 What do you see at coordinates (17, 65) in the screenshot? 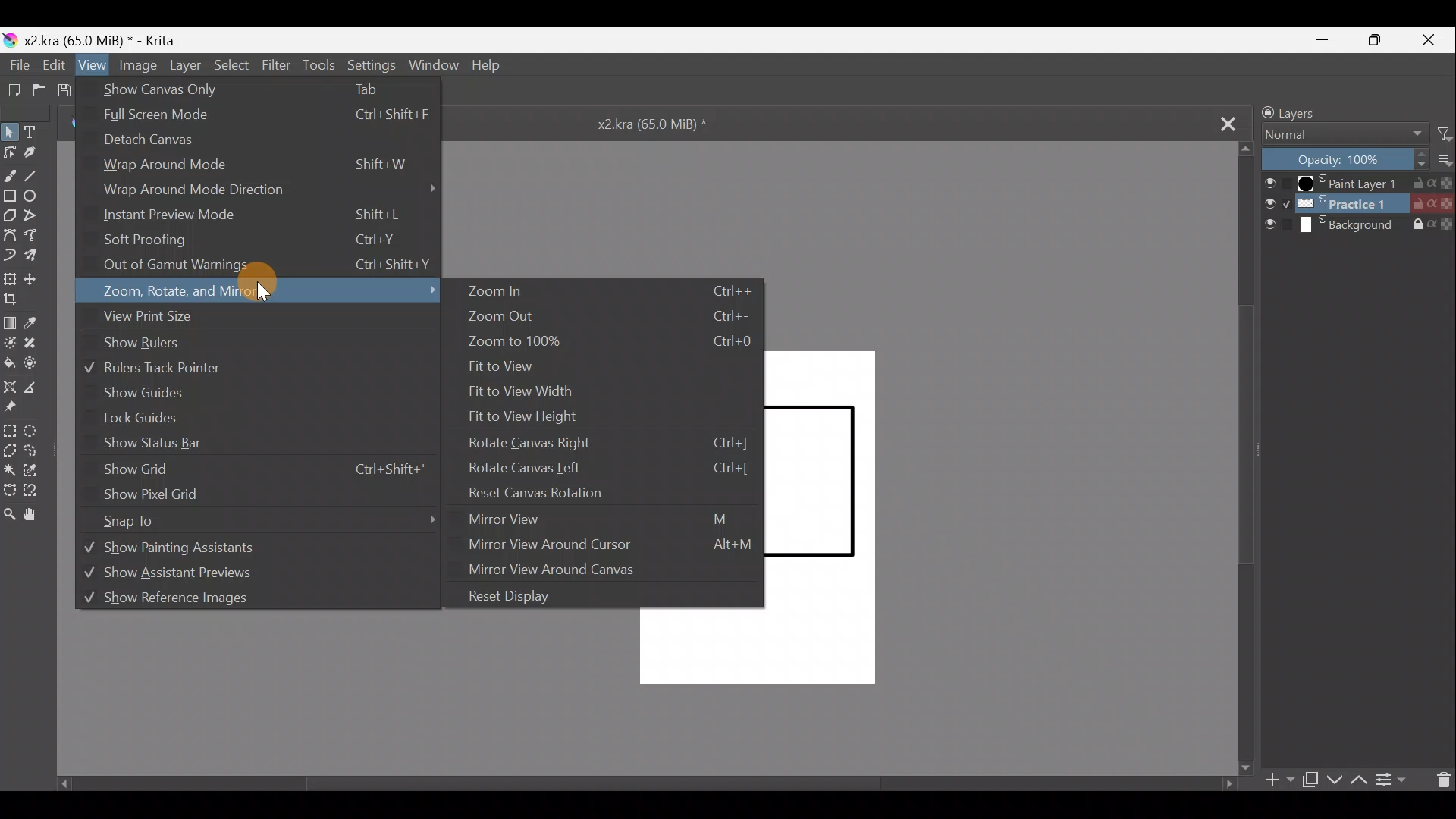
I see `File` at bounding box center [17, 65].